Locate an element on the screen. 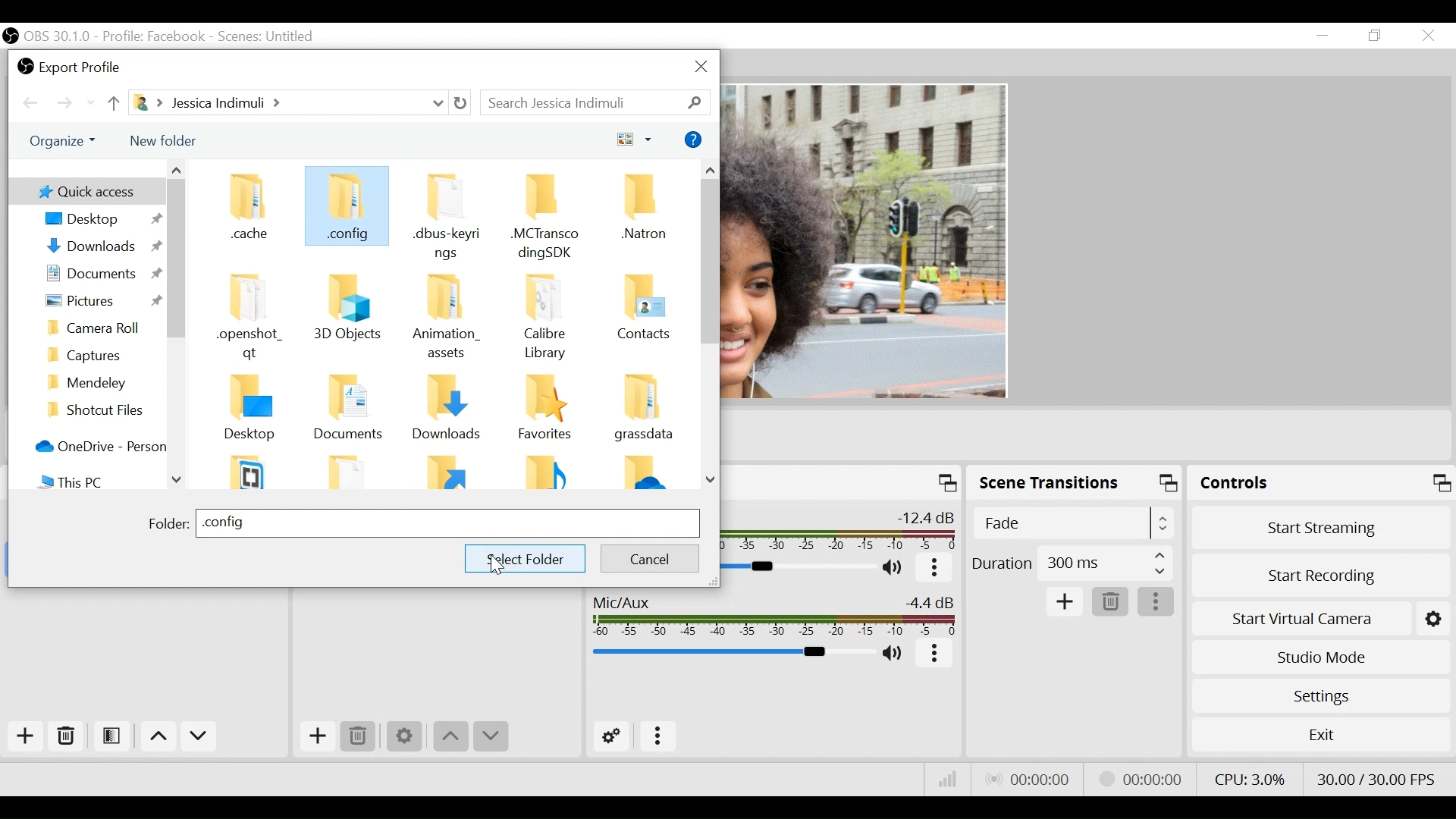 The image size is (1456, 819). Move up is located at coordinates (112, 104).